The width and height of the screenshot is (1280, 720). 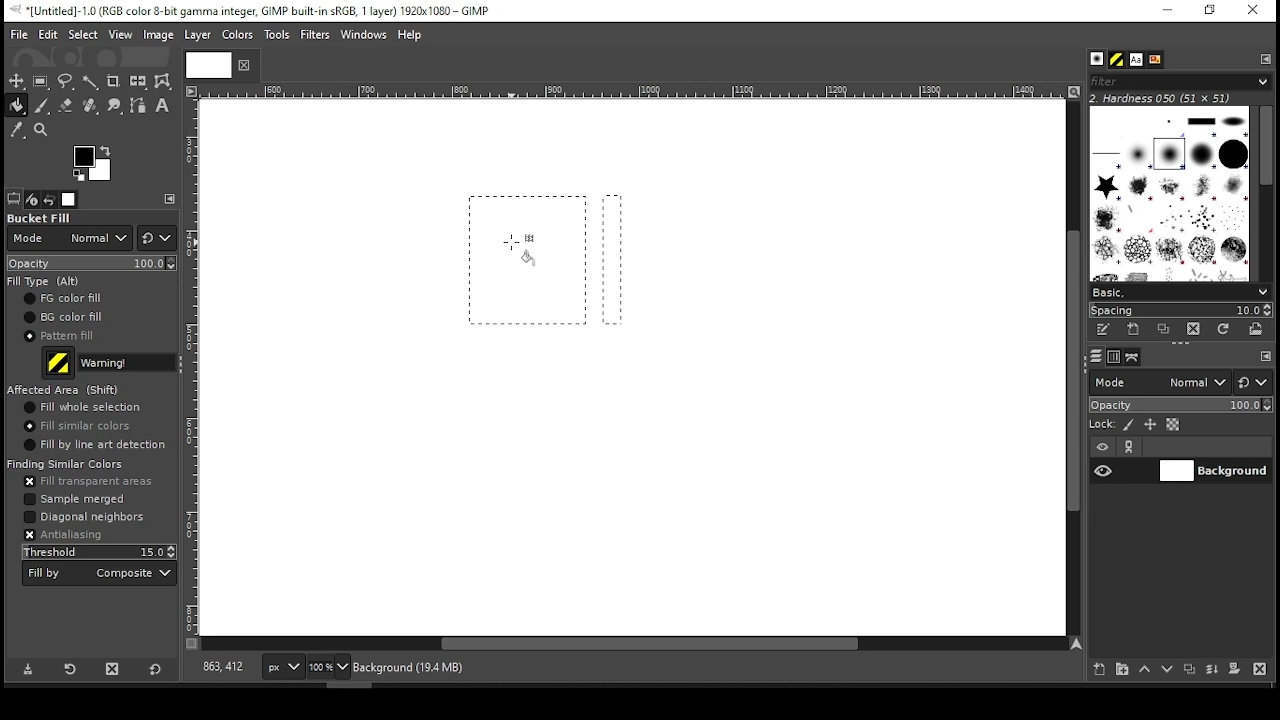 I want to click on delete layer, so click(x=1259, y=669).